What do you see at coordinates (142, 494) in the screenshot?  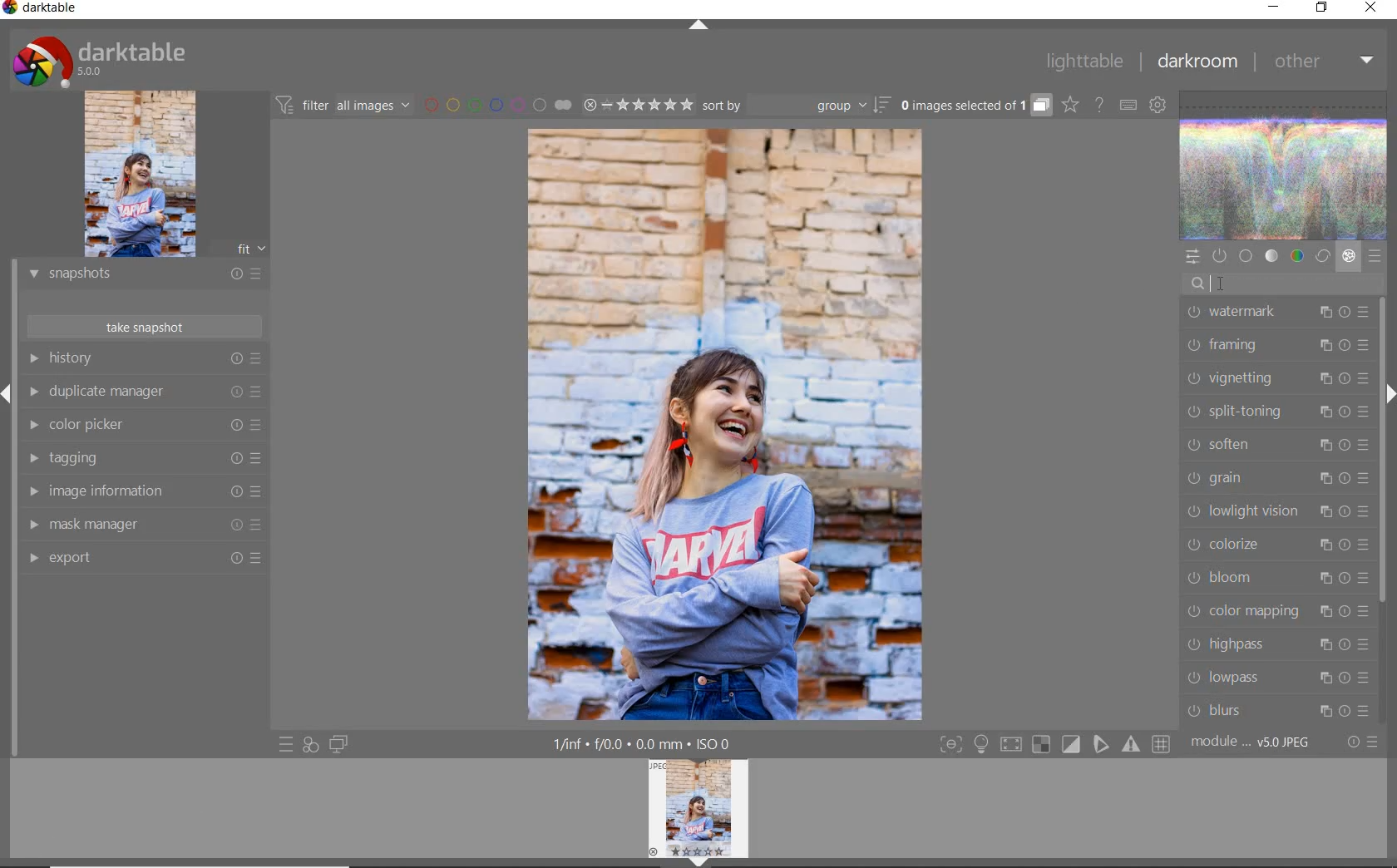 I see `image information` at bounding box center [142, 494].